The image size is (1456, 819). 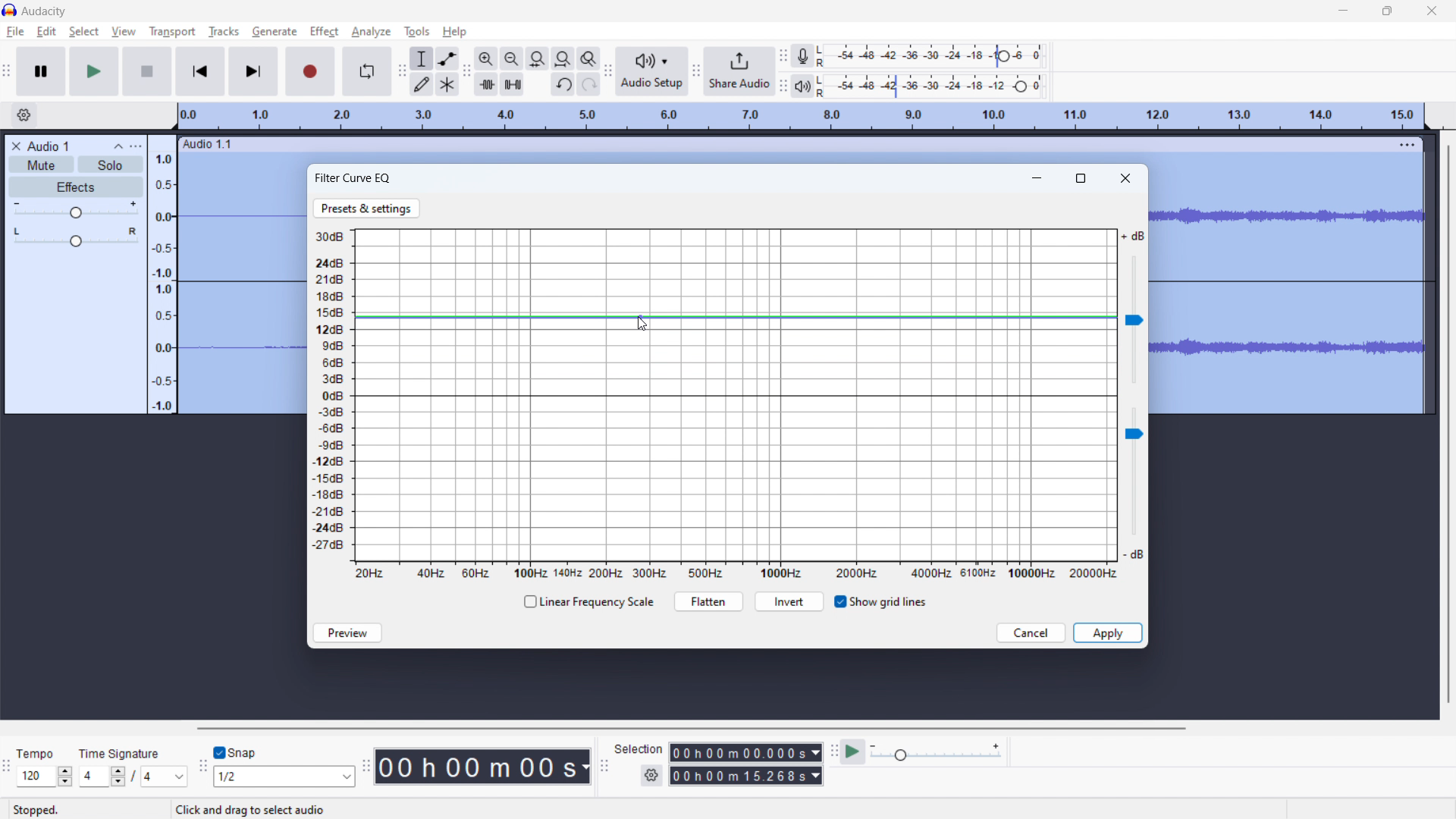 What do you see at coordinates (511, 58) in the screenshot?
I see `zoom out` at bounding box center [511, 58].